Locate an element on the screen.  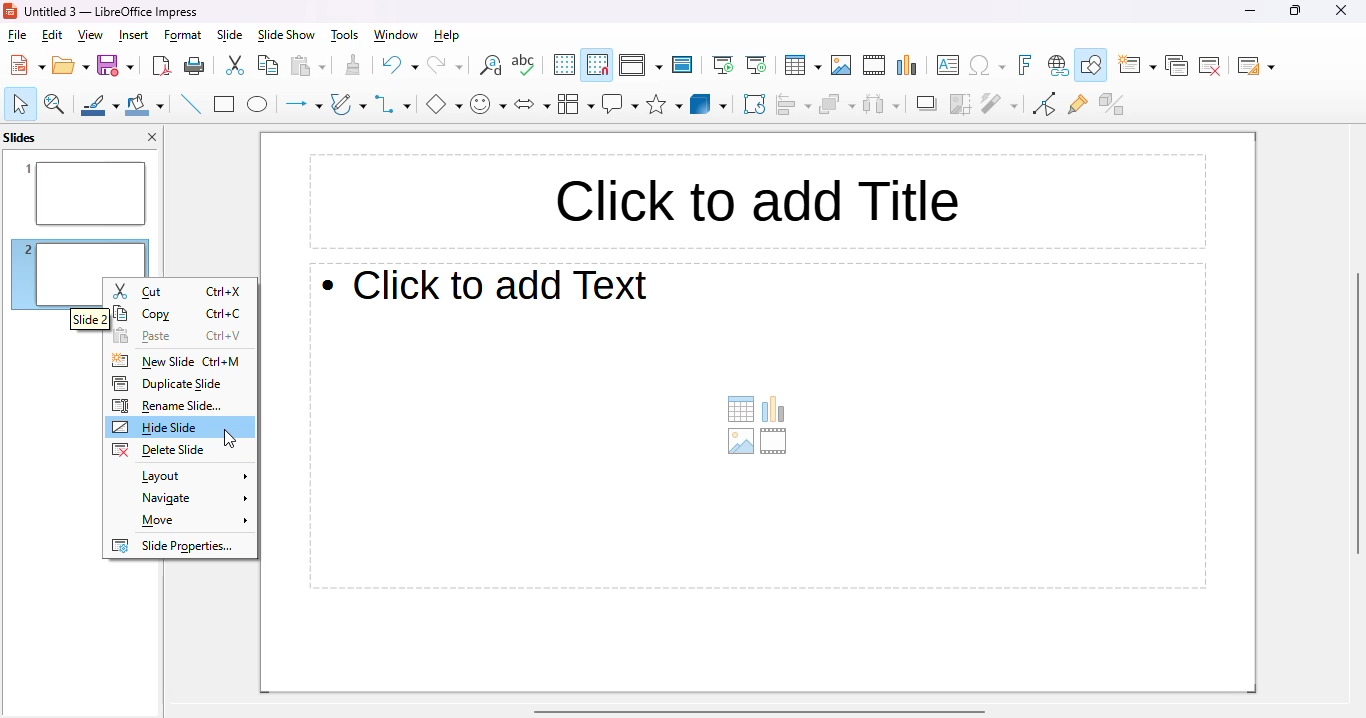
redo is located at coordinates (444, 65).